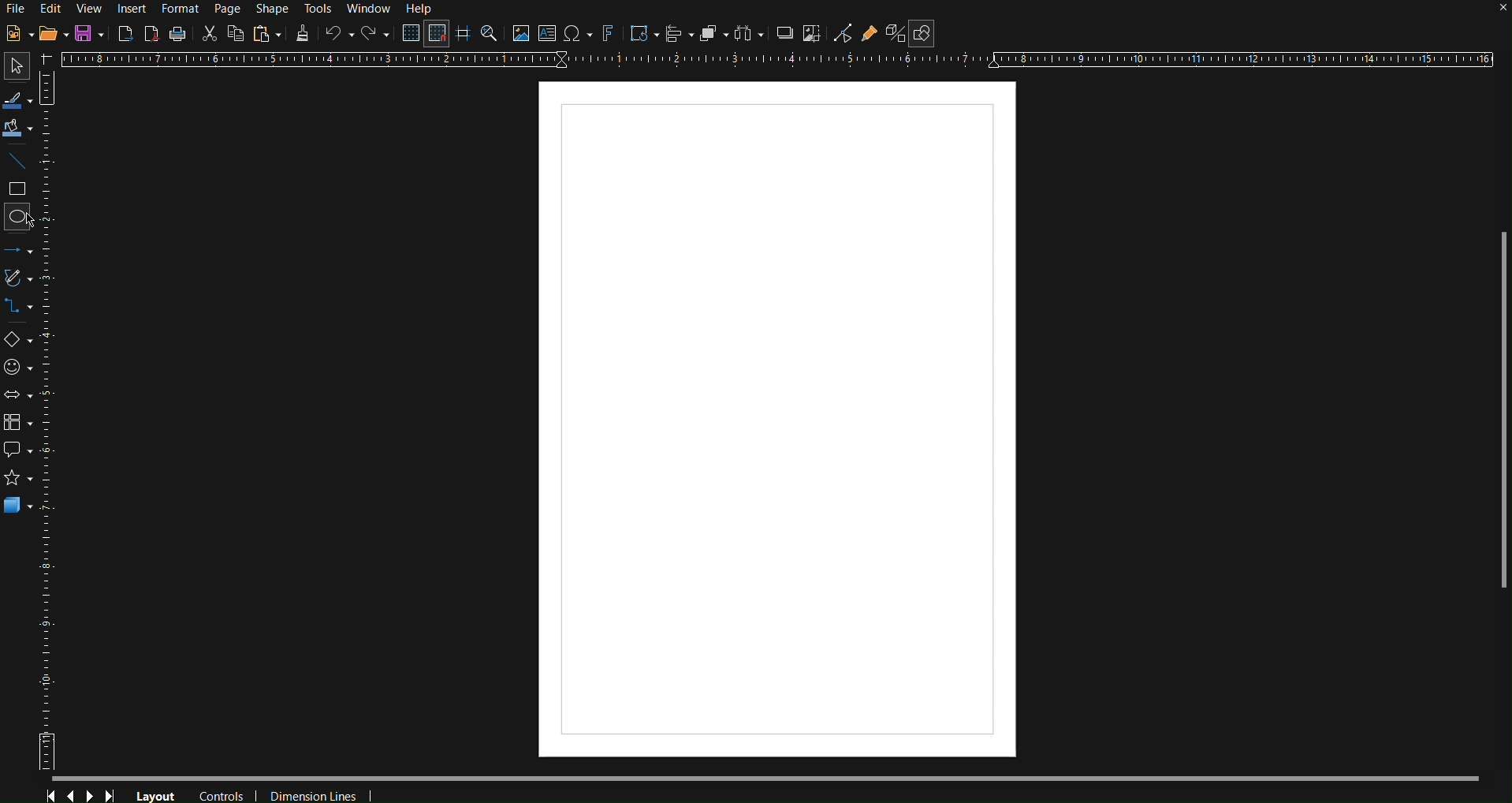 The image size is (1512, 803). Describe the element at coordinates (51, 8) in the screenshot. I see `Edit` at that location.